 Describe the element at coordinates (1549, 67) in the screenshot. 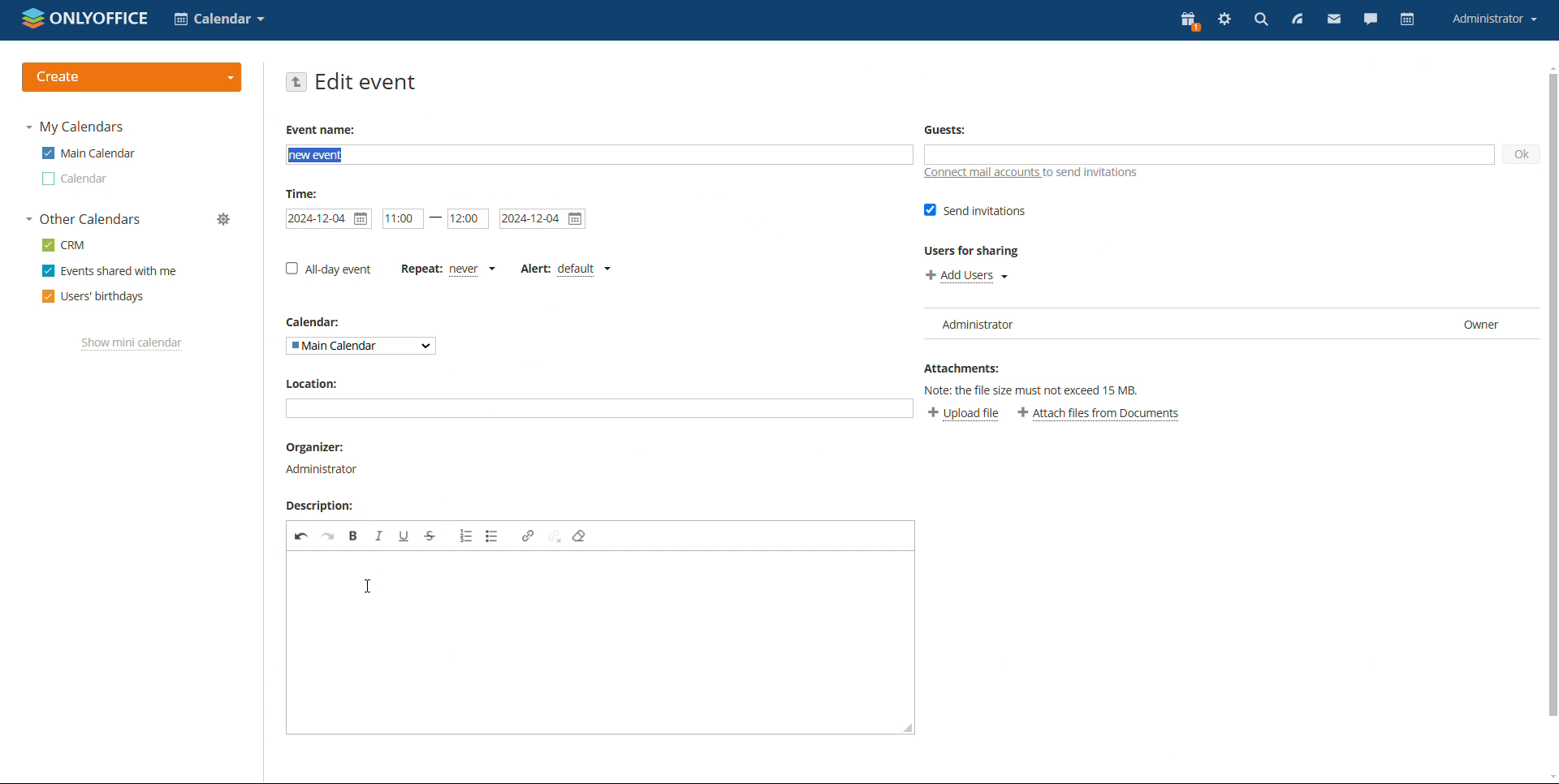

I see `scroll up` at that location.